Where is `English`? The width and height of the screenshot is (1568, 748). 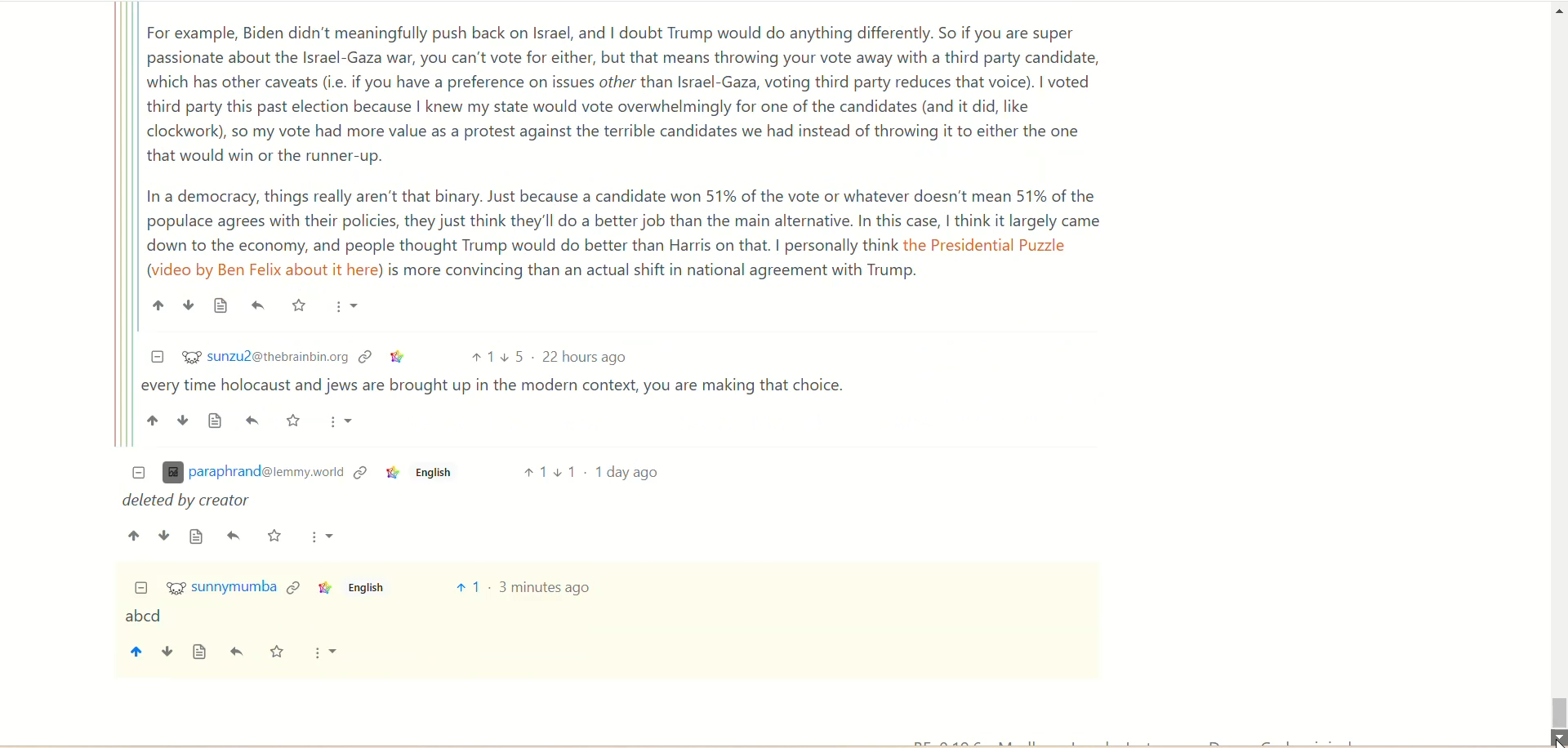 English is located at coordinates (433, 473).